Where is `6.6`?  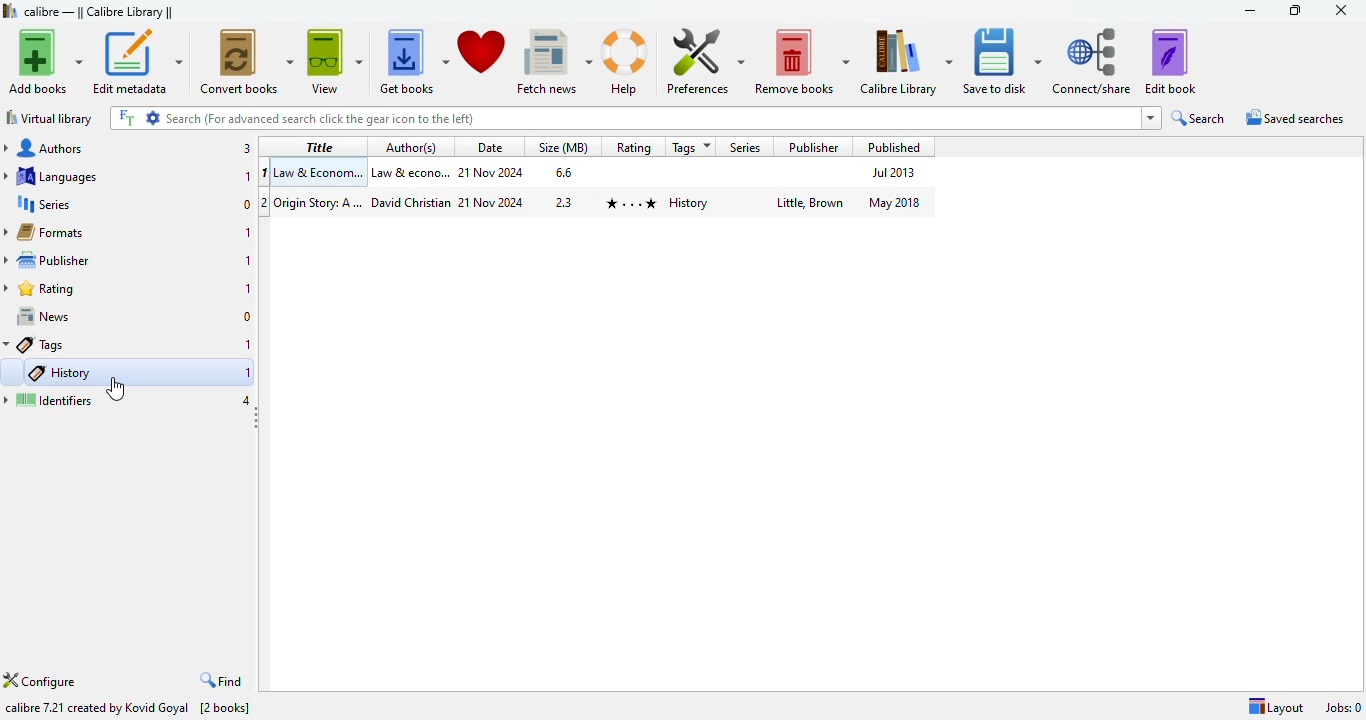
6.6 is located at coordinates (564, 172).